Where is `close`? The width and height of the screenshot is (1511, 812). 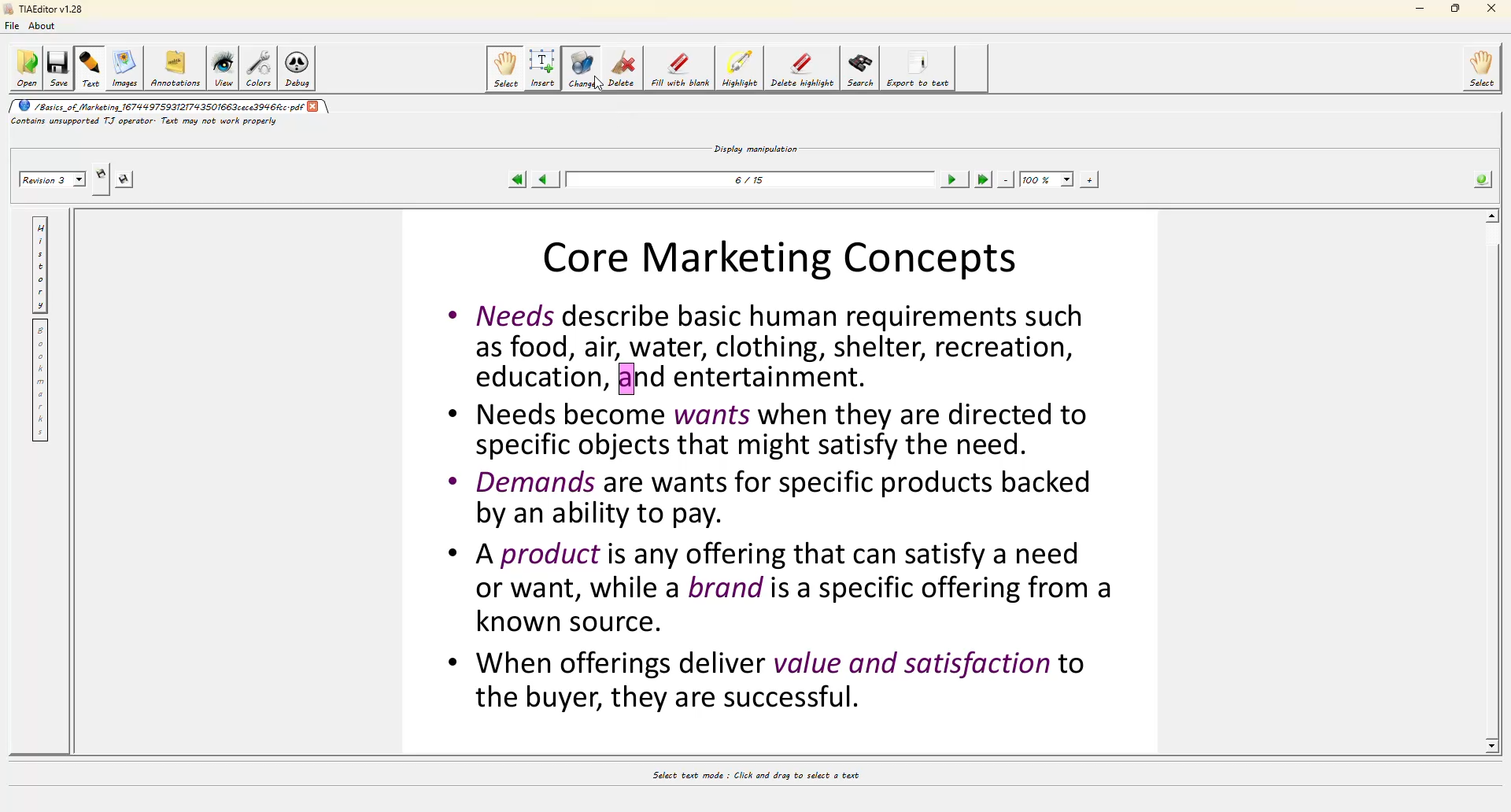
close is located at coordinates (1493, 7).